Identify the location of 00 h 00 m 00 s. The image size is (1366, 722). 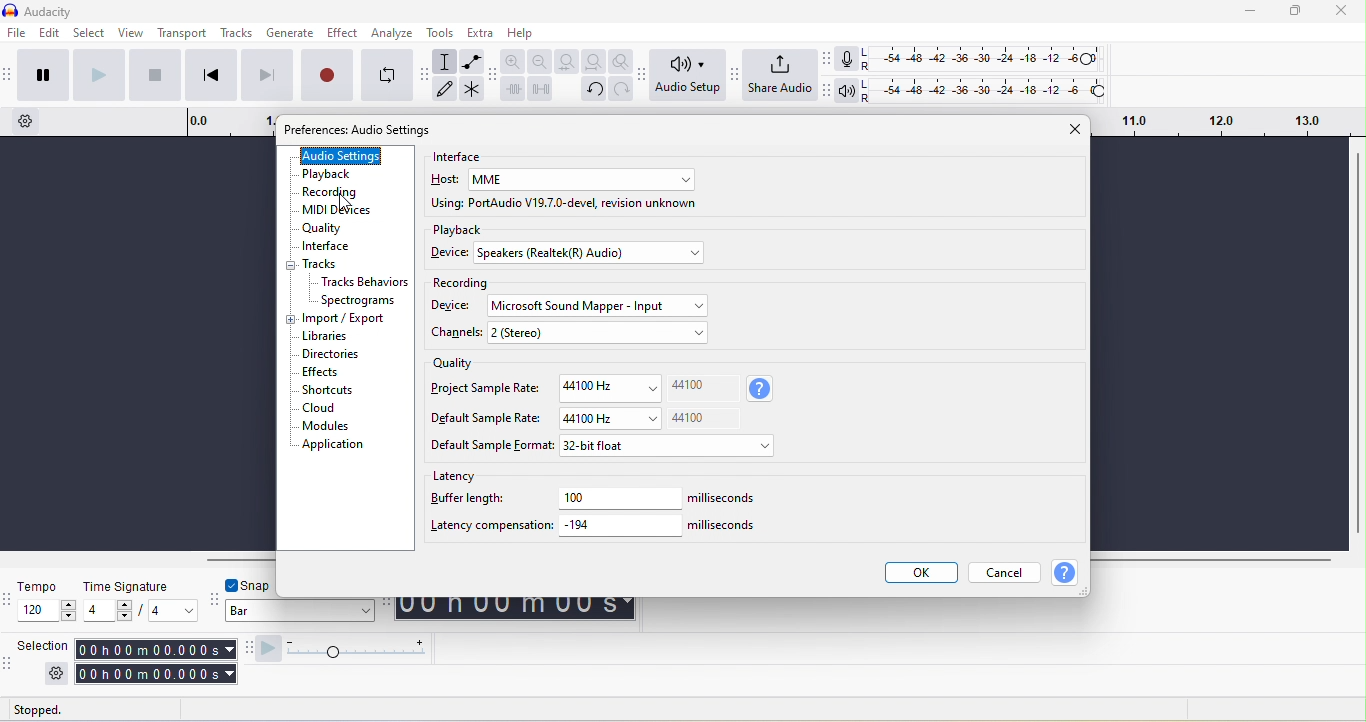
(156, 660).